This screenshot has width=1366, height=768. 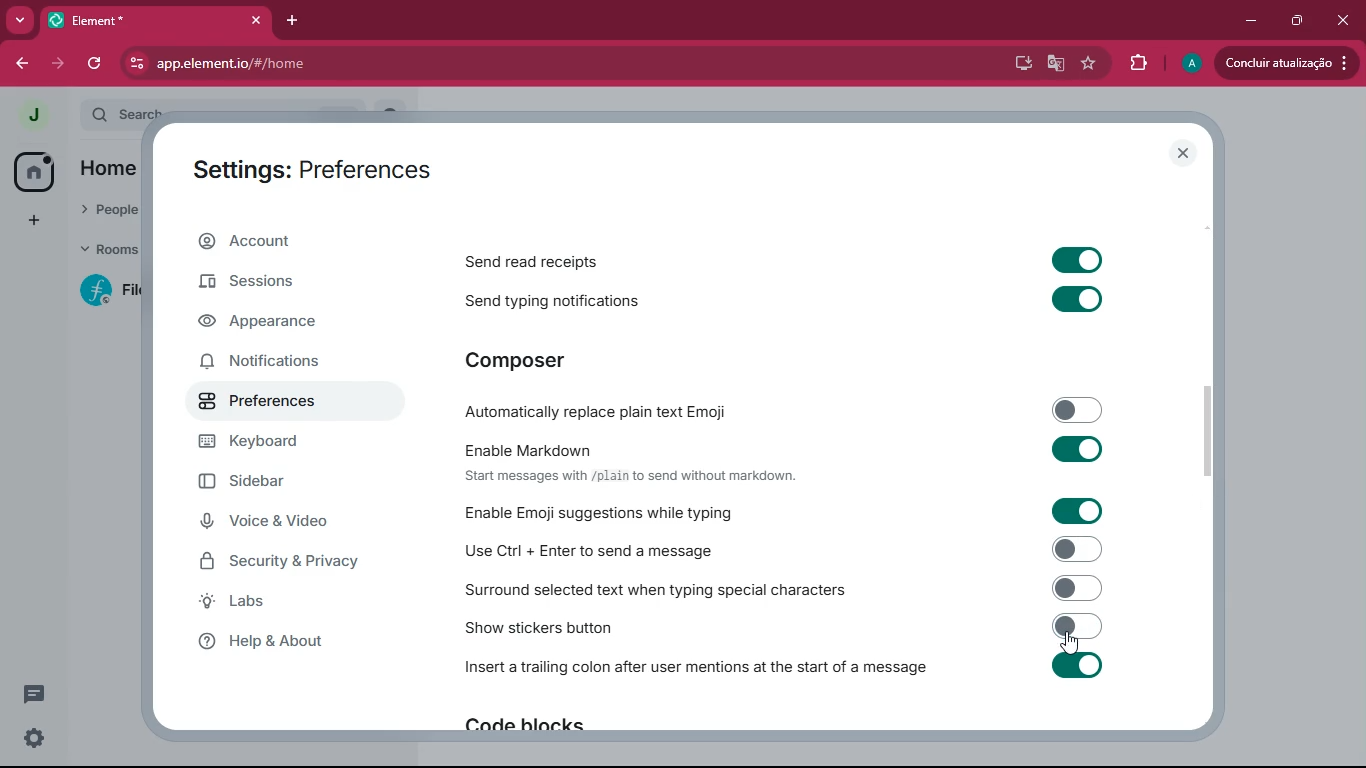 What do you see at coordinates (1190, 63) in the screenshot?
I see `profile` at bounding box center [1190, 63].